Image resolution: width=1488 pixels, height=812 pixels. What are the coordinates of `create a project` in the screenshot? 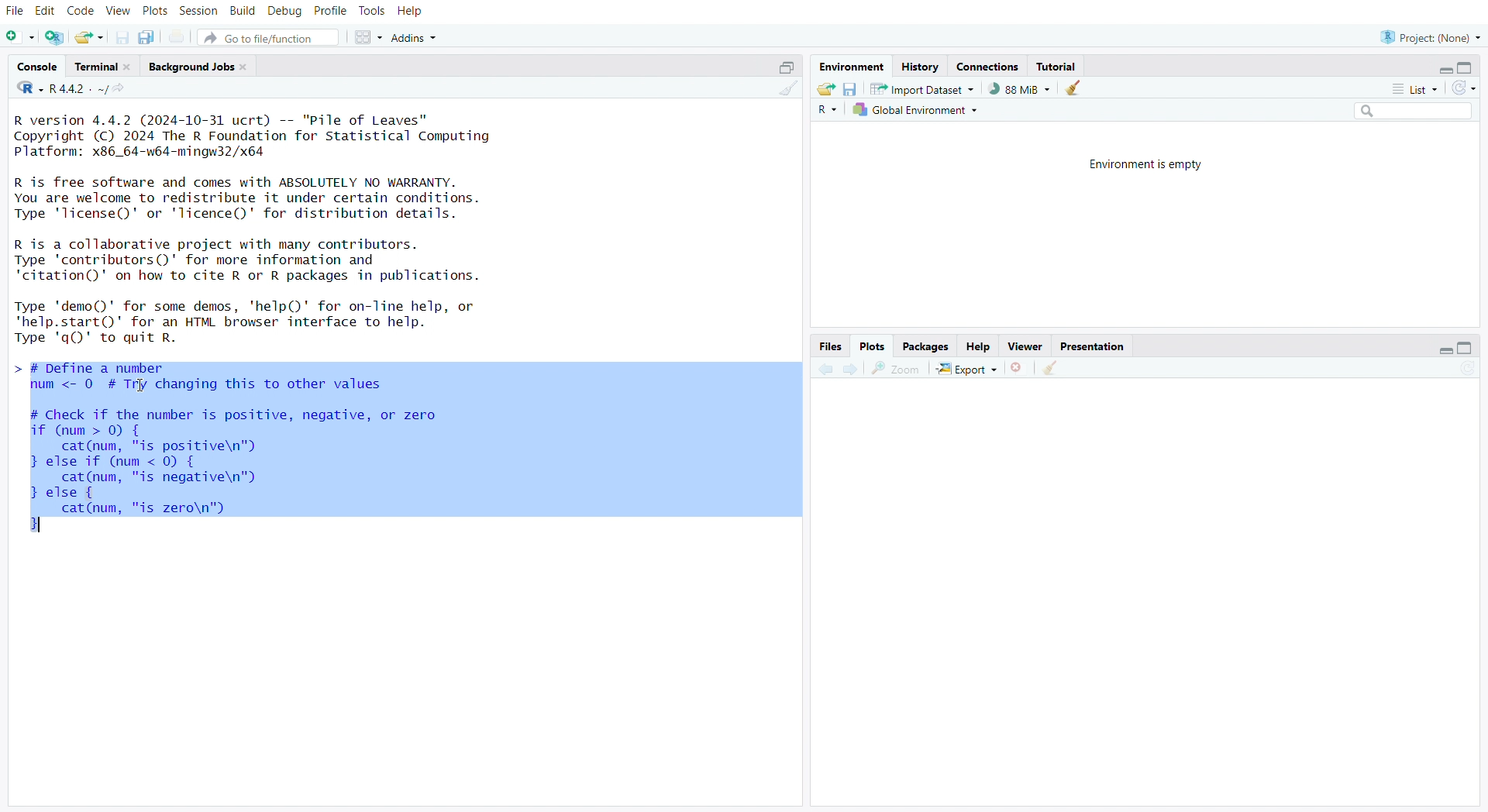 It's located at (55, 38).